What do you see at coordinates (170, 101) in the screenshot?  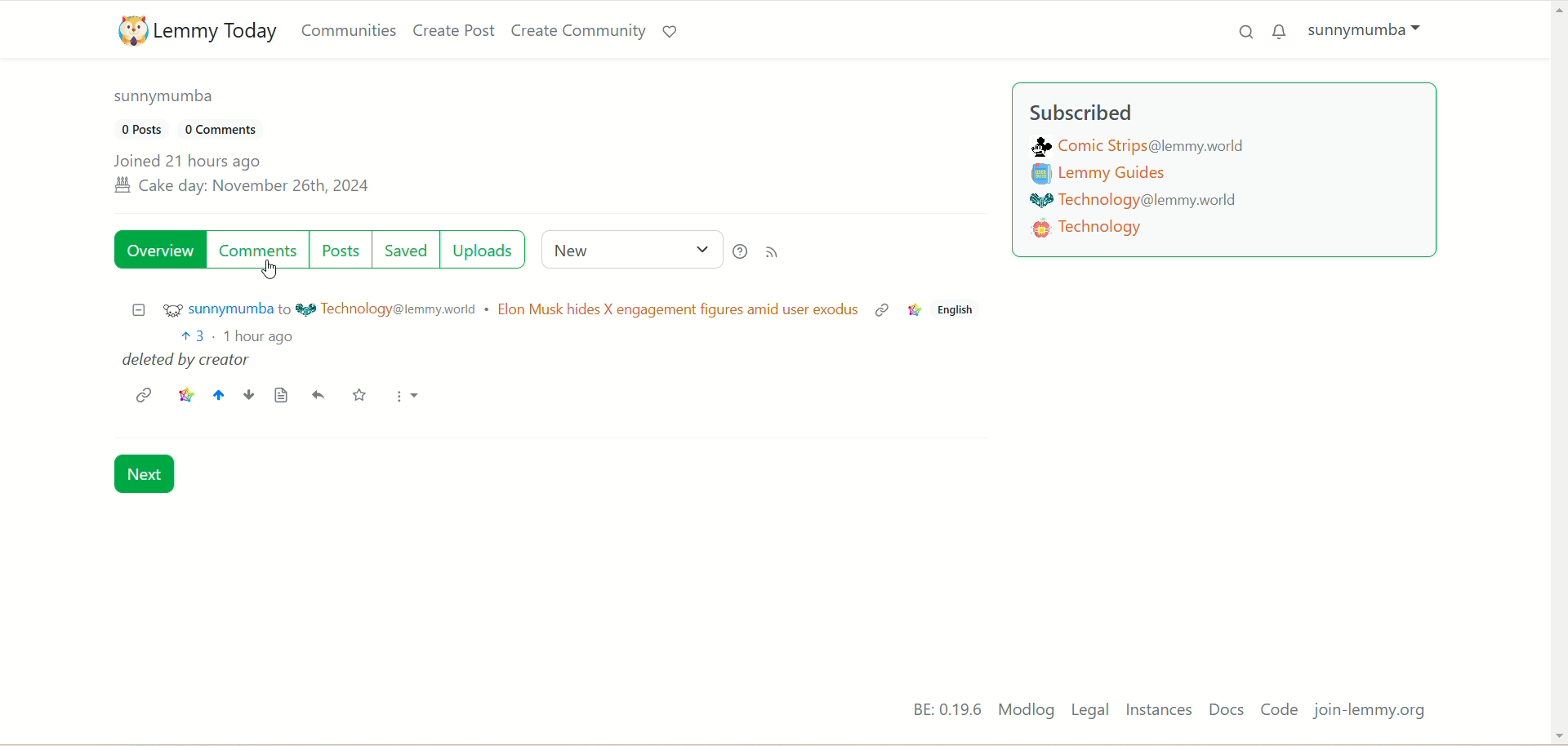 I see `sunnymumba(account)` at bounding box center [170, 101].